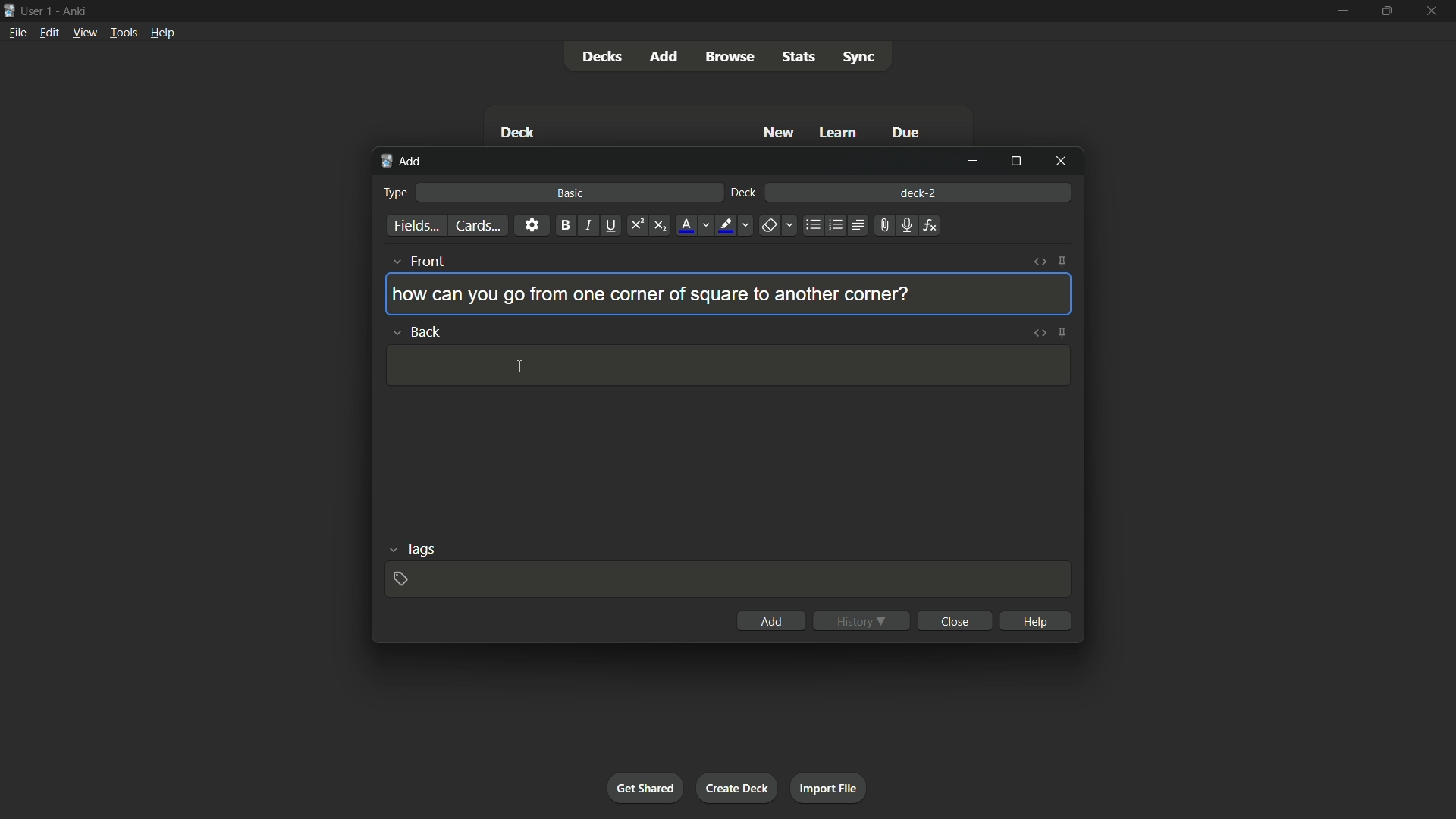 The height and width of the screenshot is (819, 1456). What do you see at coordinates (1385, 11) in the screenshot?
I see `maximize` at bounding box center [1385, 11].